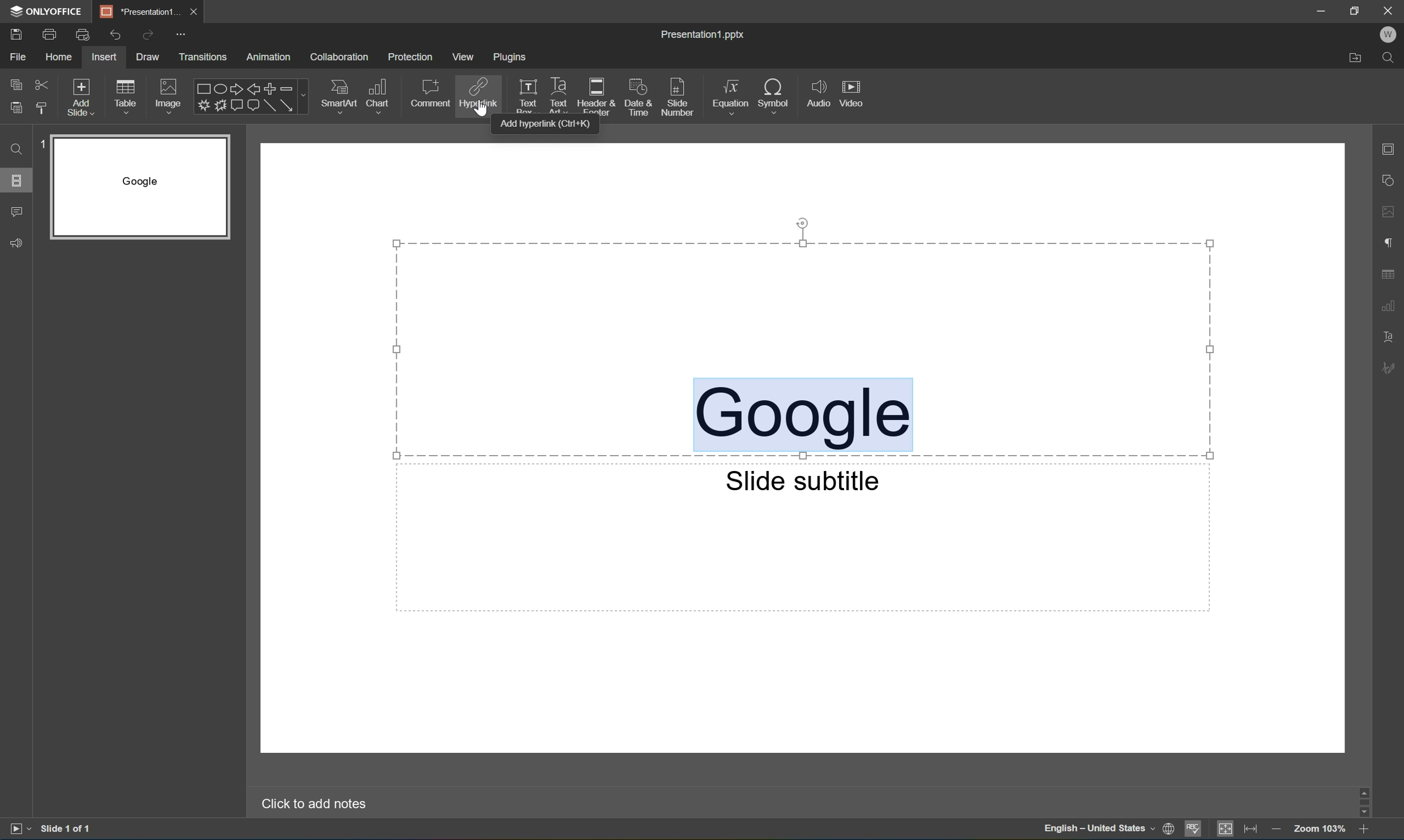 The width and height of the screenshot is (1404, 840). I want to click on Close, so click(1388, 11).